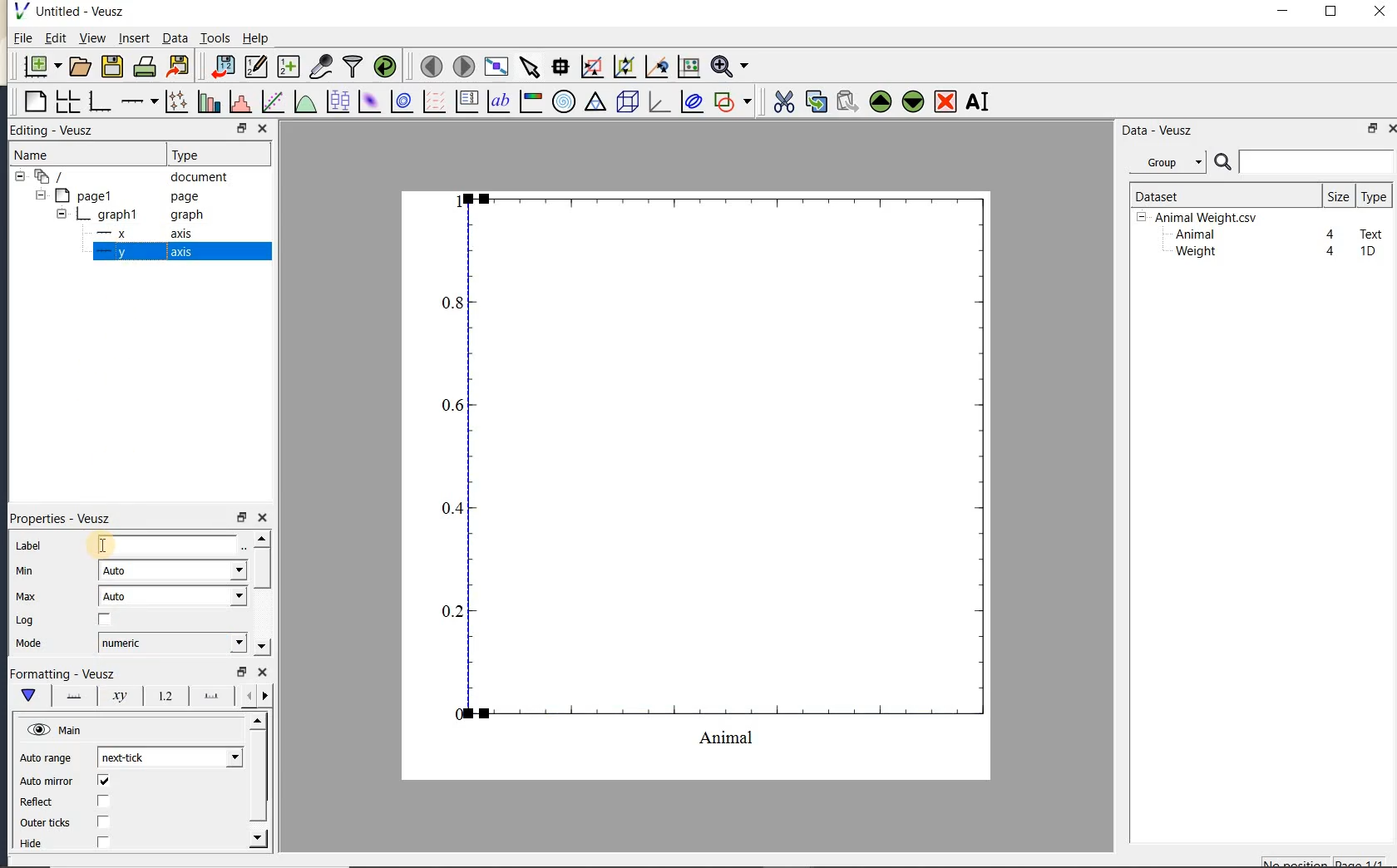 This screenshot has width=1397, height=868. What do you see at coordinates (272, 101) in the screenshot?
I see `fit a function to data` at bounding box center [272, 101].